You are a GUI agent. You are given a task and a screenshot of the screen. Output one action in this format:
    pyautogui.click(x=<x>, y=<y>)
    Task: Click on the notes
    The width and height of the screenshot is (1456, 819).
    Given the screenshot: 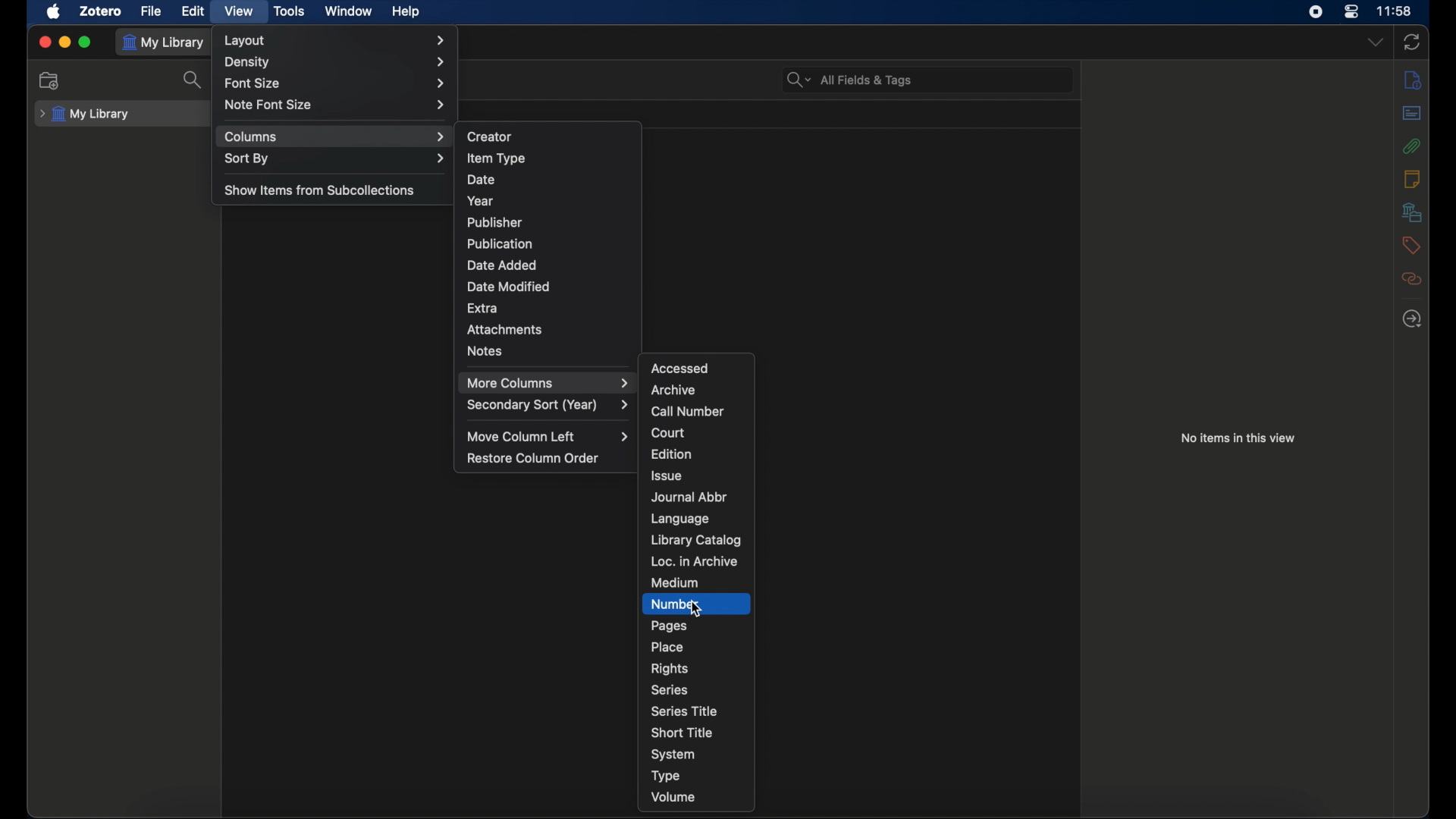 What is the action you would take?
    pyautogui.click(x=484, y=351)
    